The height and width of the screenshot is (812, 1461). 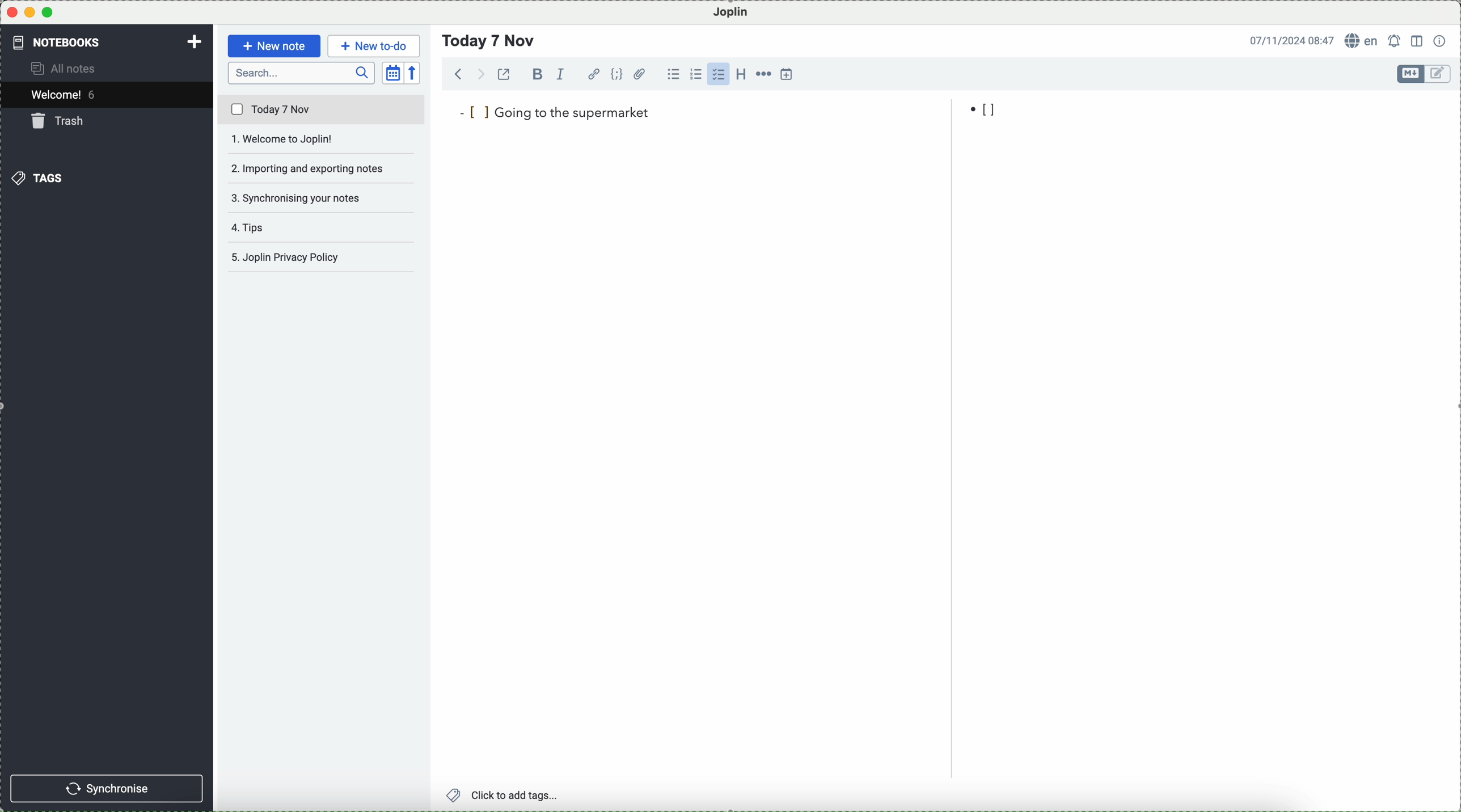 What do you see at coordinates (1396, 41) in the screenshot?
I see `set alarm` at bounding box center [1396, 41].